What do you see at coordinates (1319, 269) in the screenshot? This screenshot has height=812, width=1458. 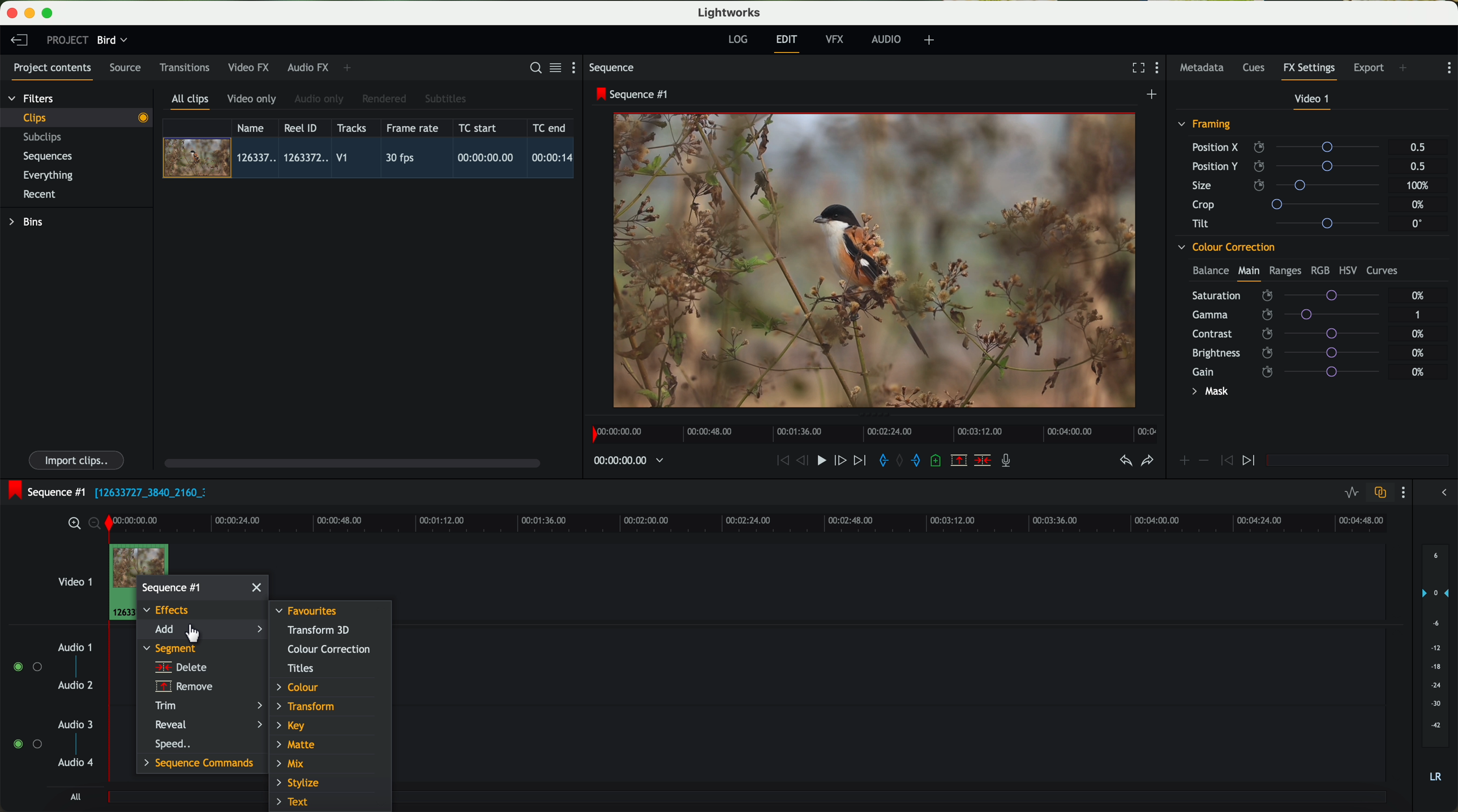 I see `RGB` at bounding box center [1319, 269].